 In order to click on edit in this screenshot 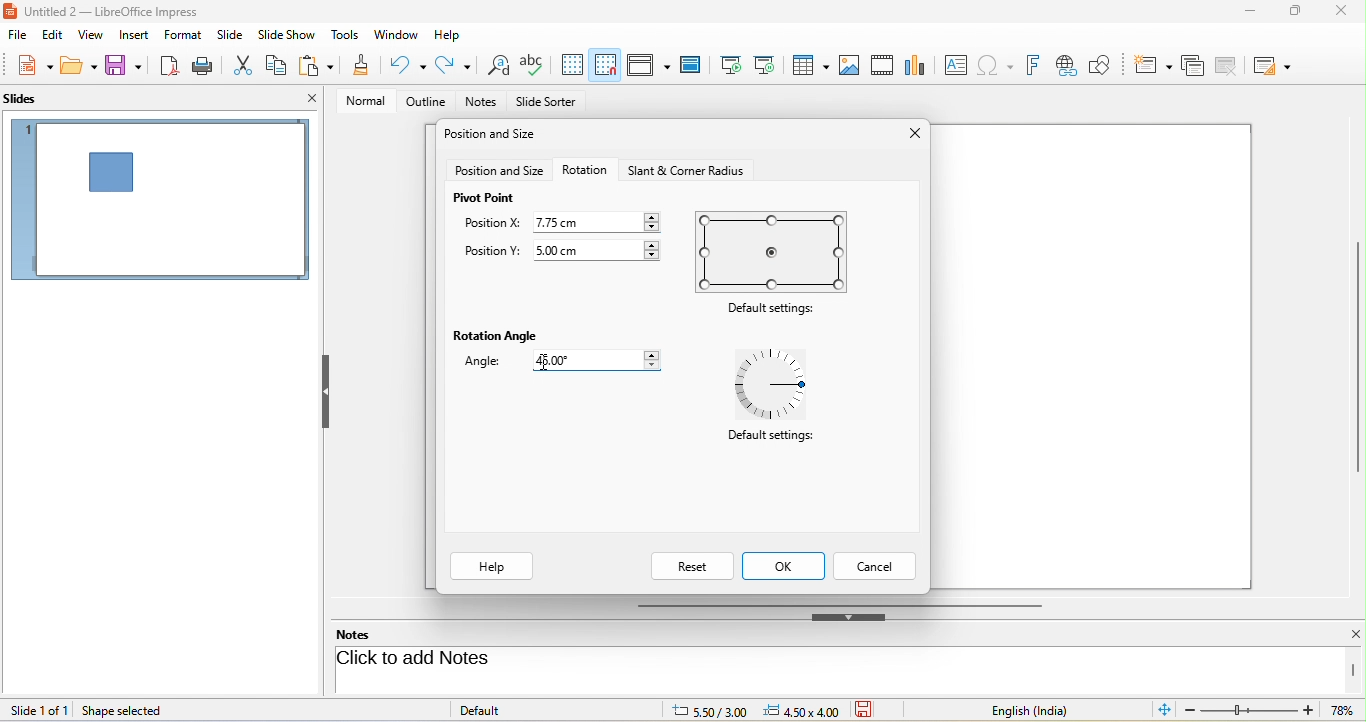, I will do `click(51, 36)`.